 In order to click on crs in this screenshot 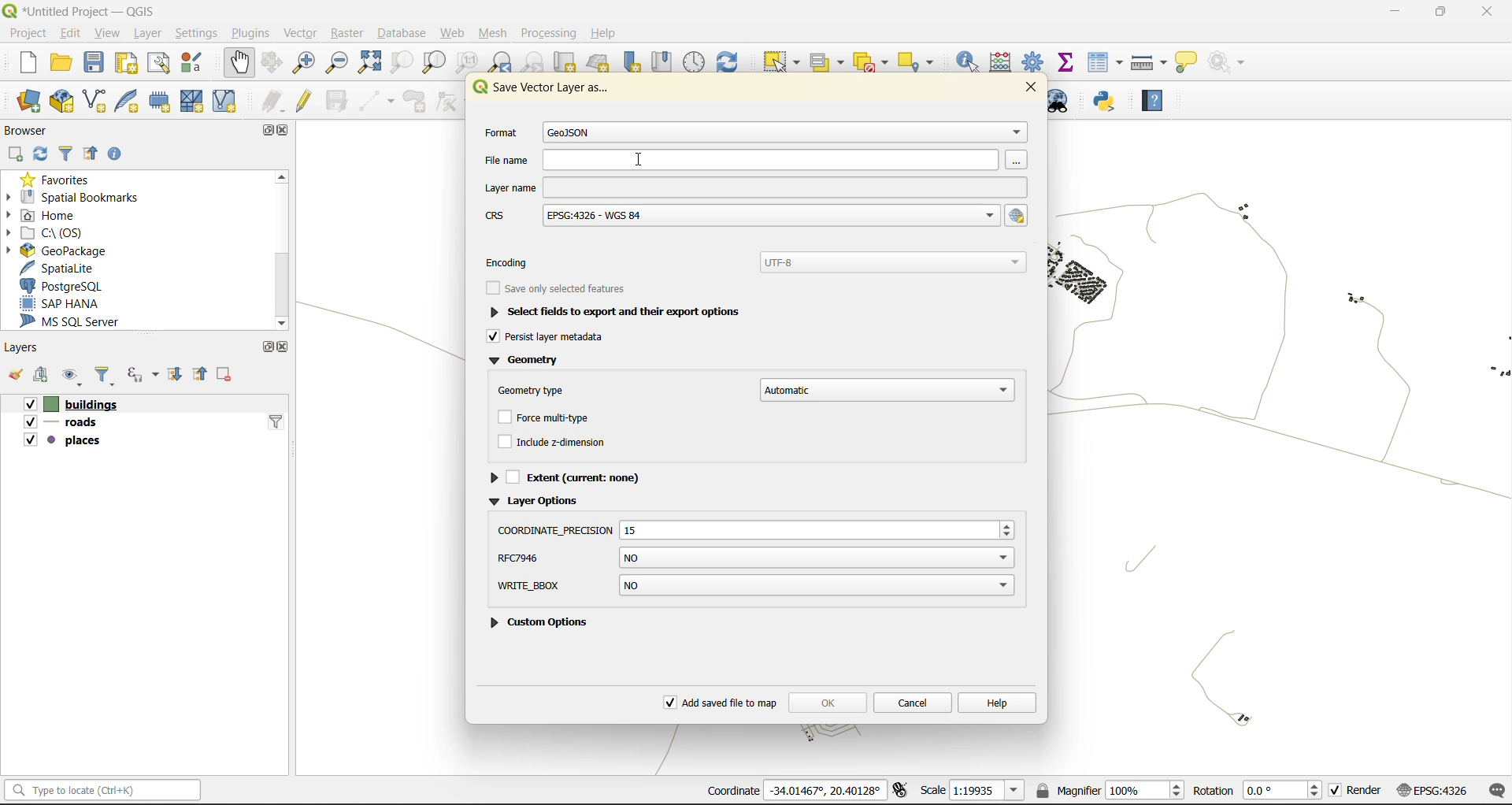, I will do `click(740, 217)`.